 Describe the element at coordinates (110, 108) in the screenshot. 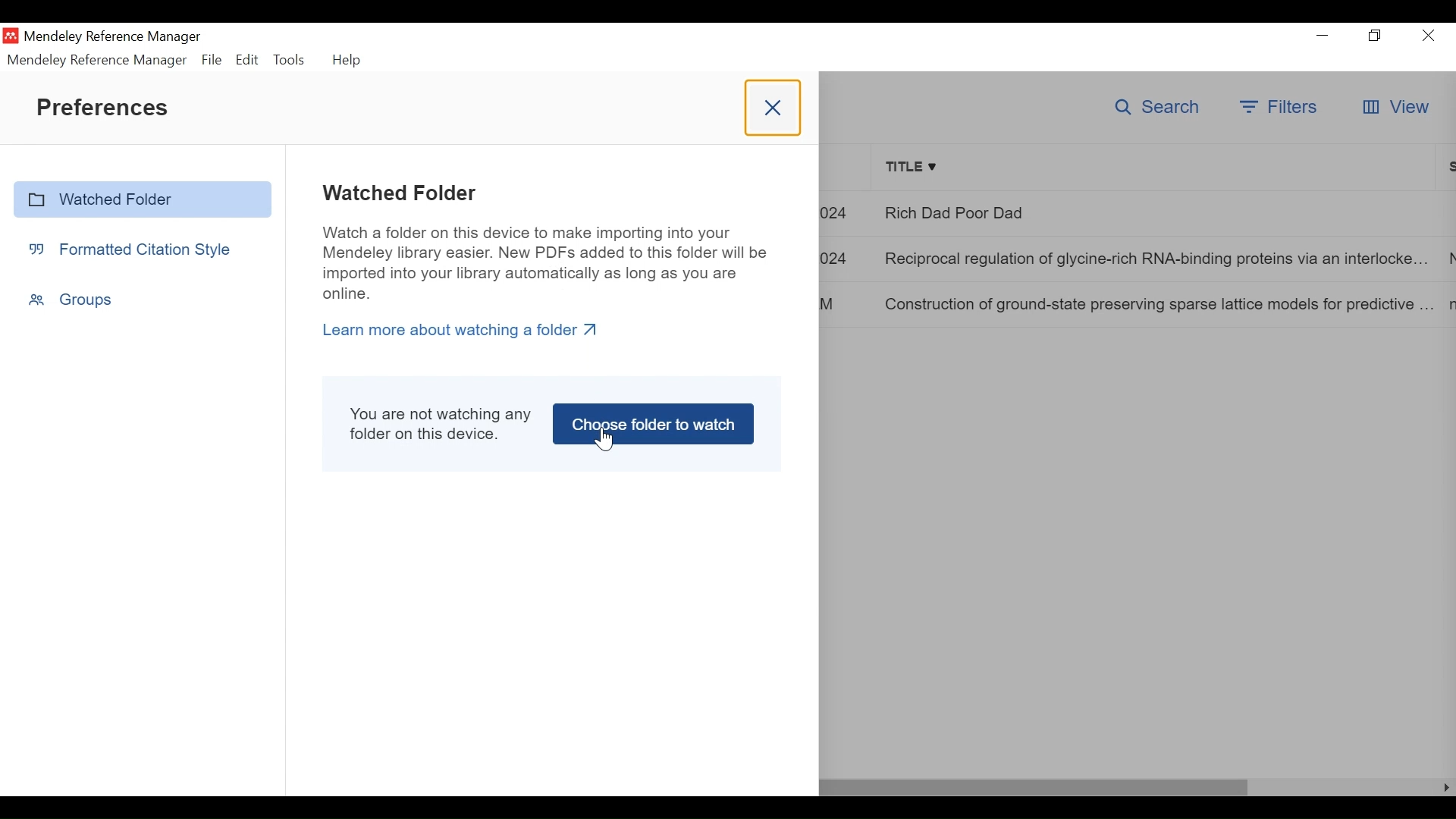

I see `Preferences` at that location.